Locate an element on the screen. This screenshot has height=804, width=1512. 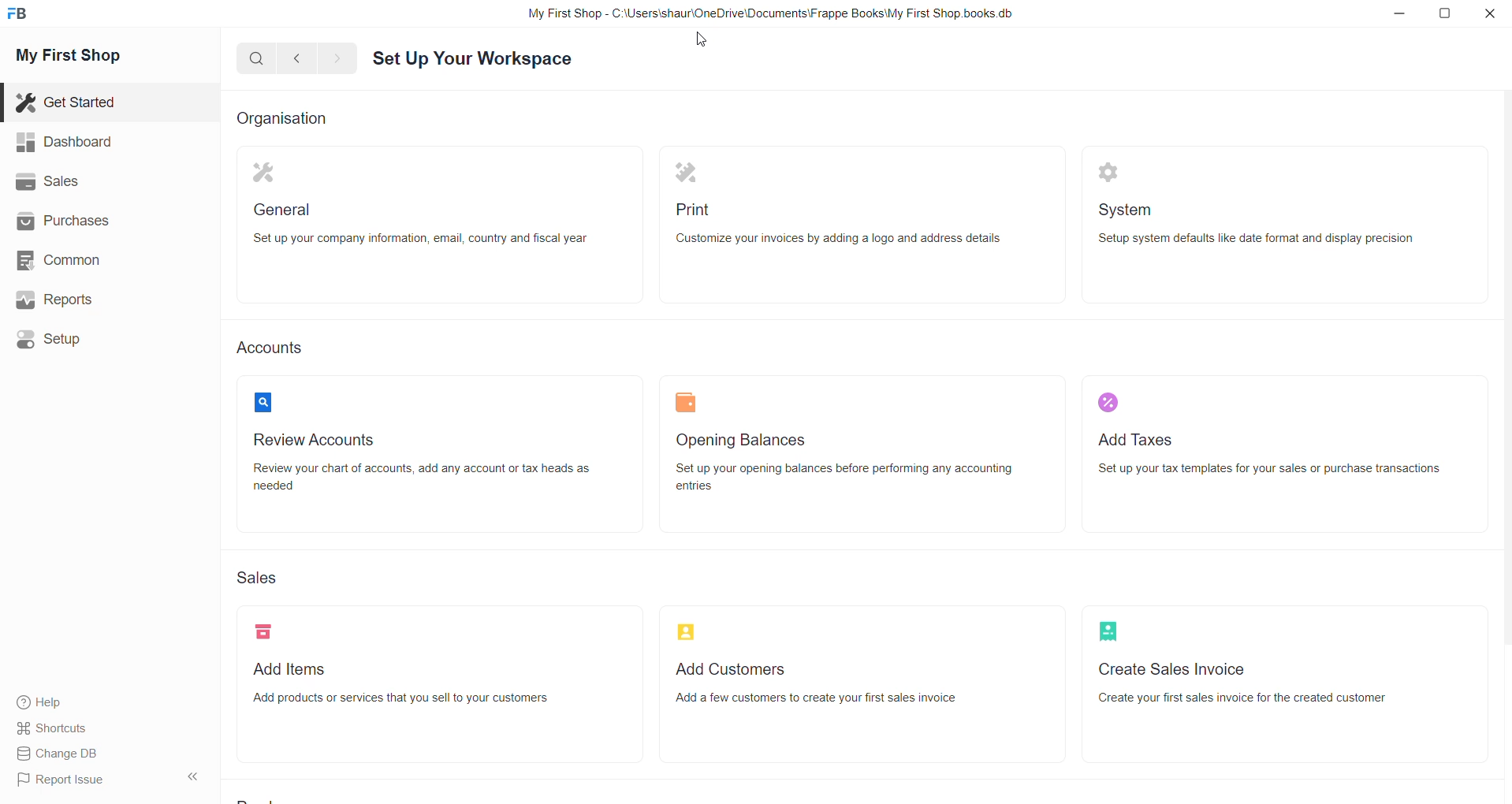
Set Up Your Workspace is located at coordinates (479, 57).